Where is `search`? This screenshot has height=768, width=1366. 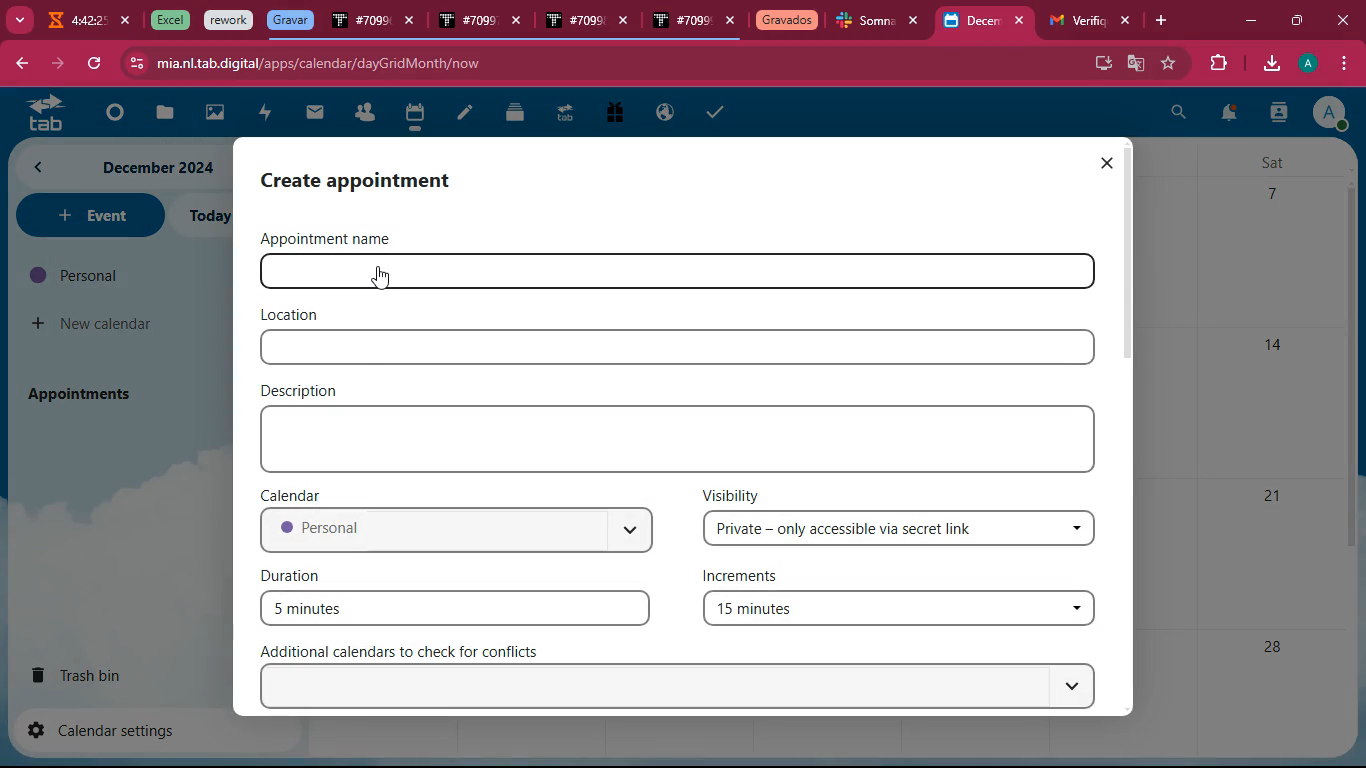 search is located at coordinates (1179, 115).